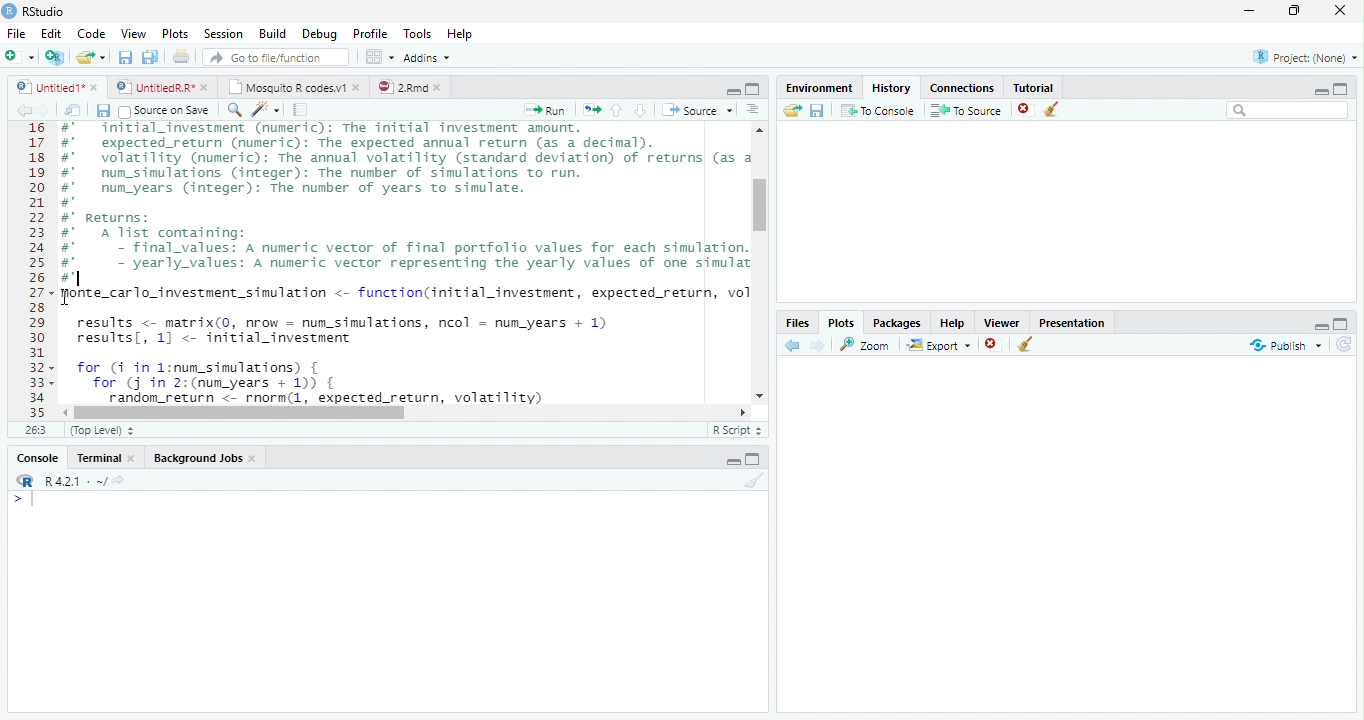 This screenshot has height=720, width=1364. Describe the element at coordinates (1301, 58) in the screenshot. I see `Project: (None)` at that location.